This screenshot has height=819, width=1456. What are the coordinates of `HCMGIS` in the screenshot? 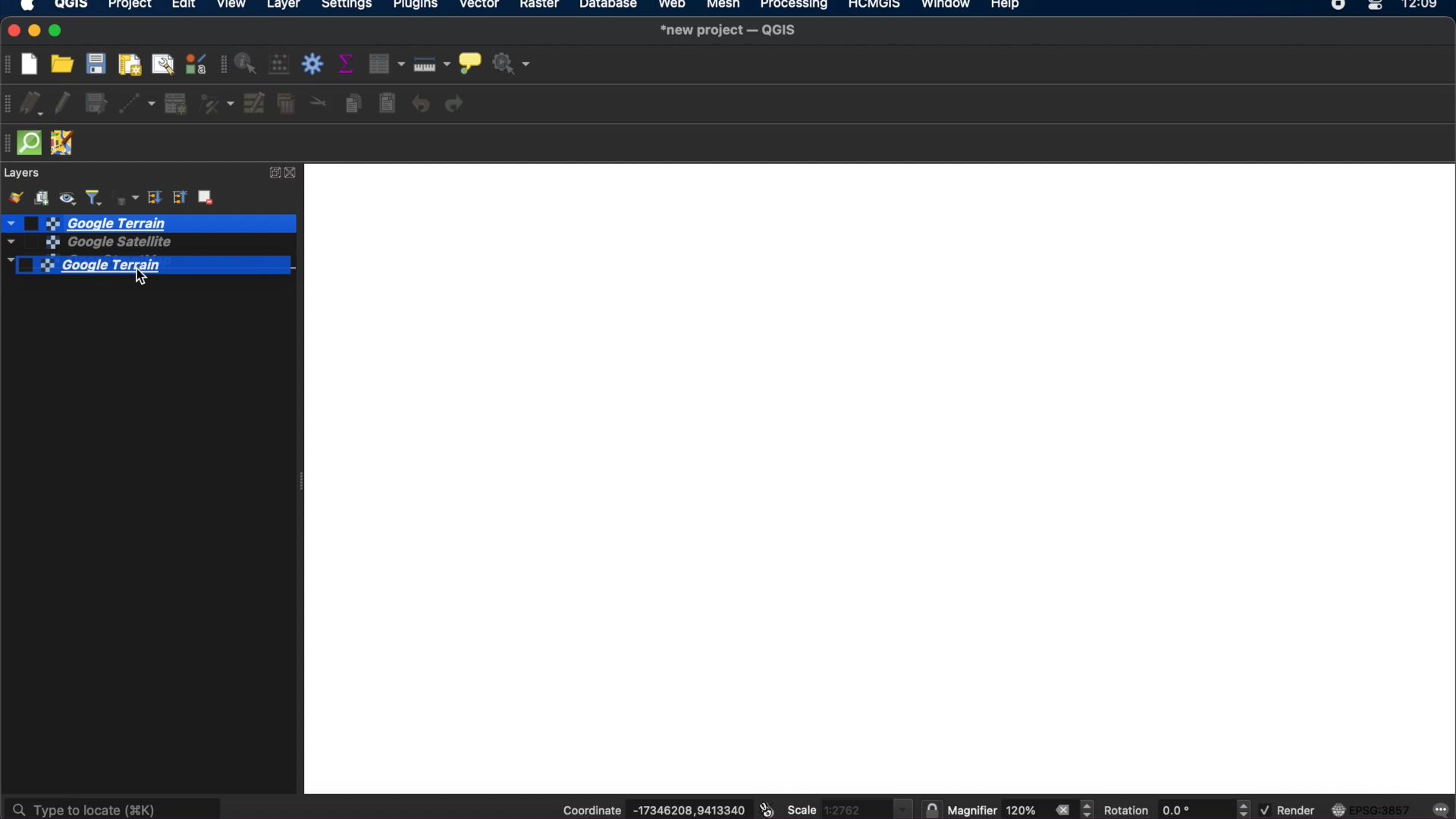 It's located at (873, 6).